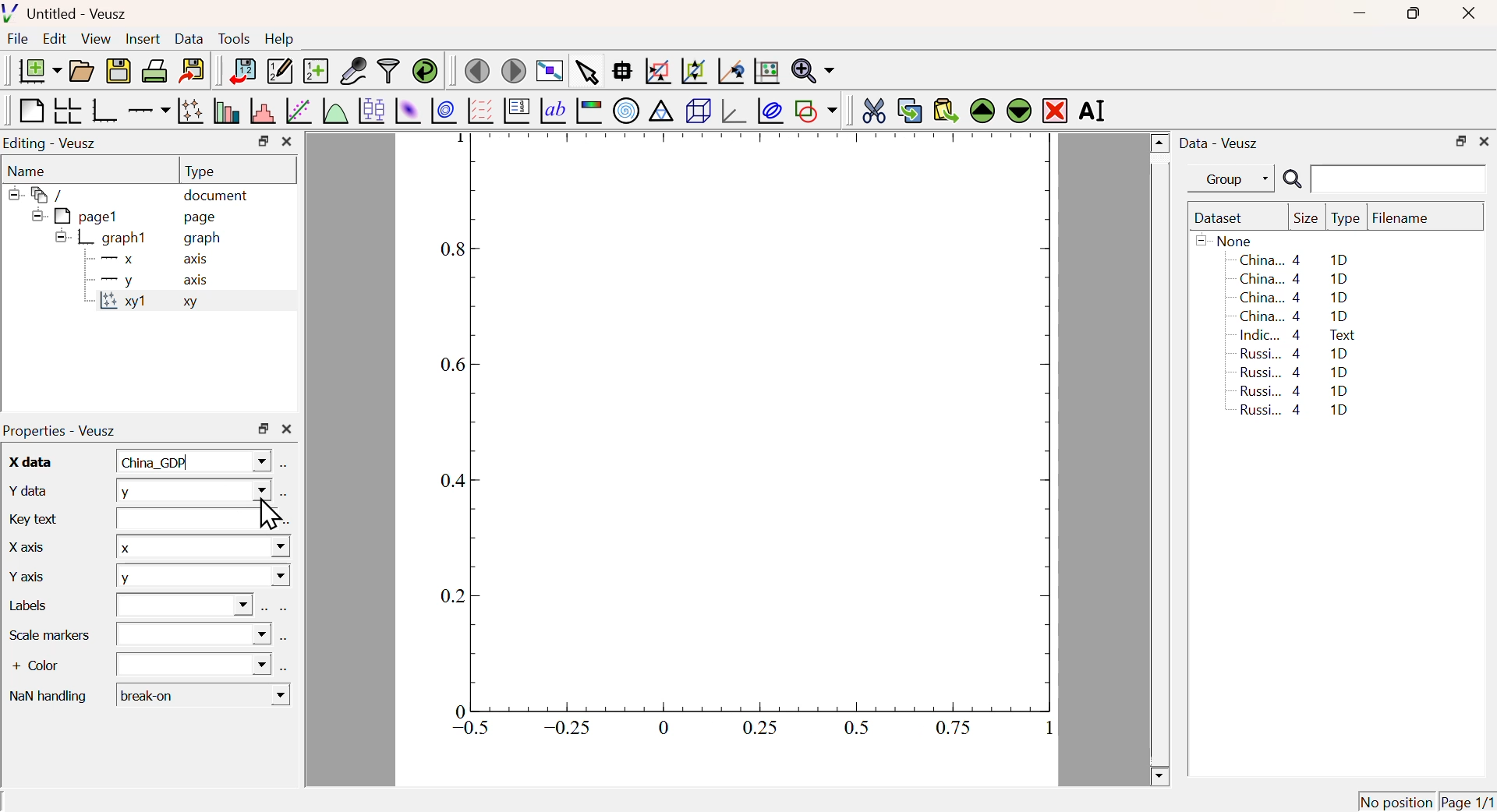 This screenshot has height=812, width=1497. Describe the element at coordinates (194, 664) in the screenshot. I see `Dropdown` at that location.